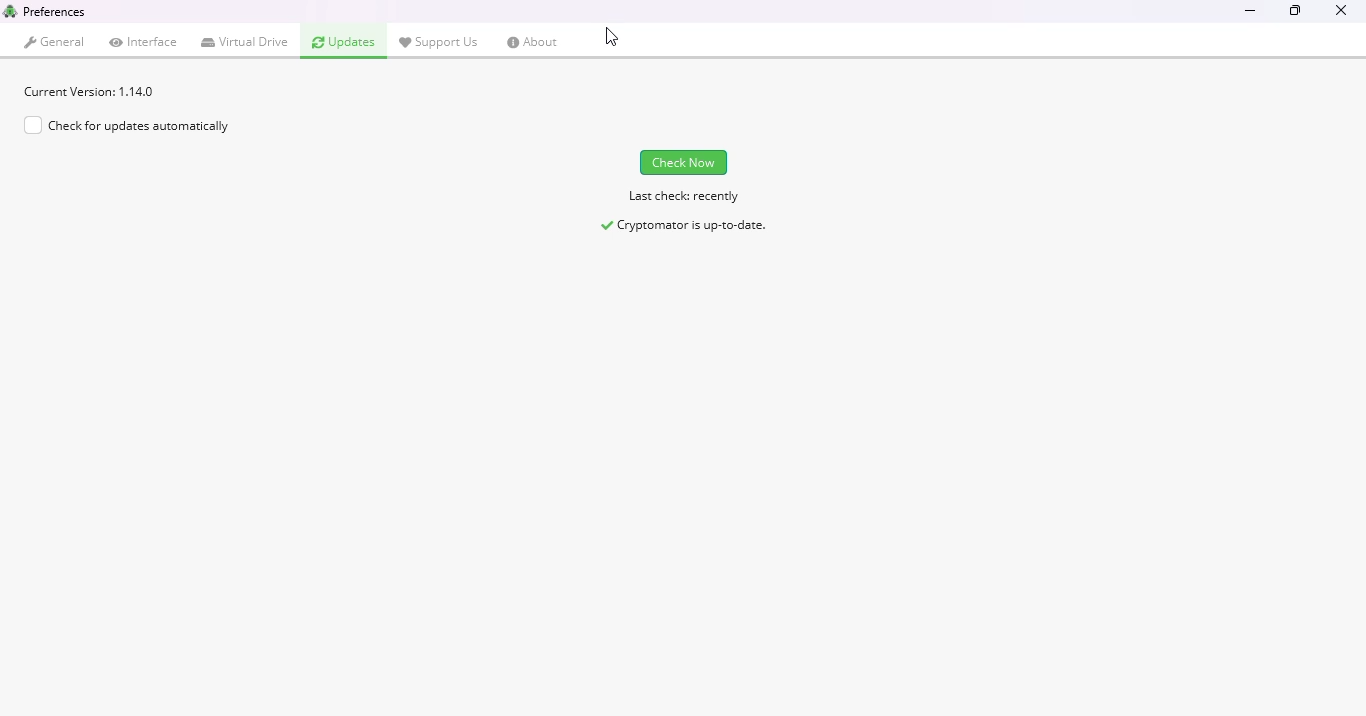  Describe the element at coordinates (126, 125) in the screenshot. I see `check for updates automatically` at that location.